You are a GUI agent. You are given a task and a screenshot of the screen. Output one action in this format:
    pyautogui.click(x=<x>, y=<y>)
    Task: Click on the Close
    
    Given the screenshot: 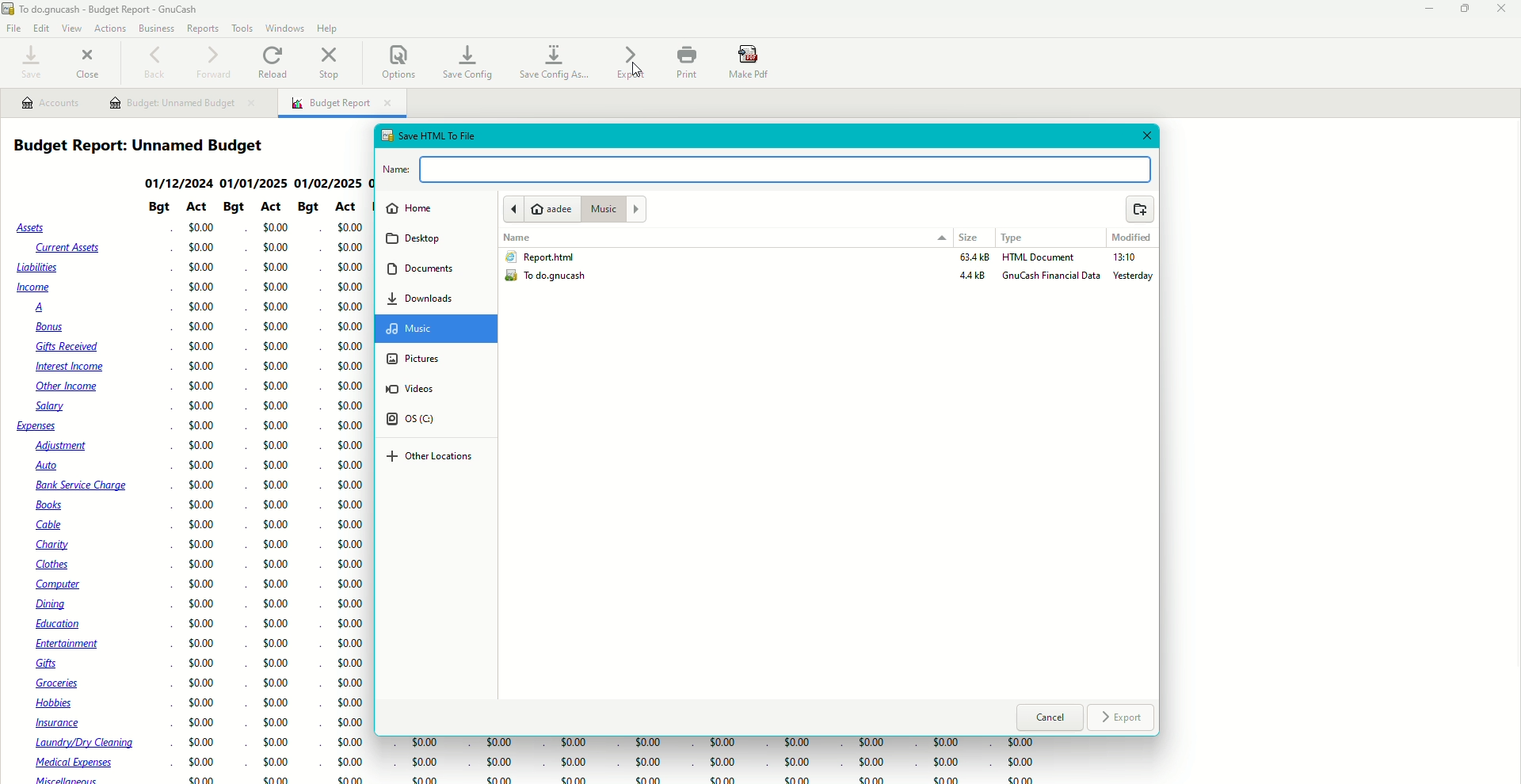 What is the action you would take?
    pyautogui.click(x=1145, y=136)
    